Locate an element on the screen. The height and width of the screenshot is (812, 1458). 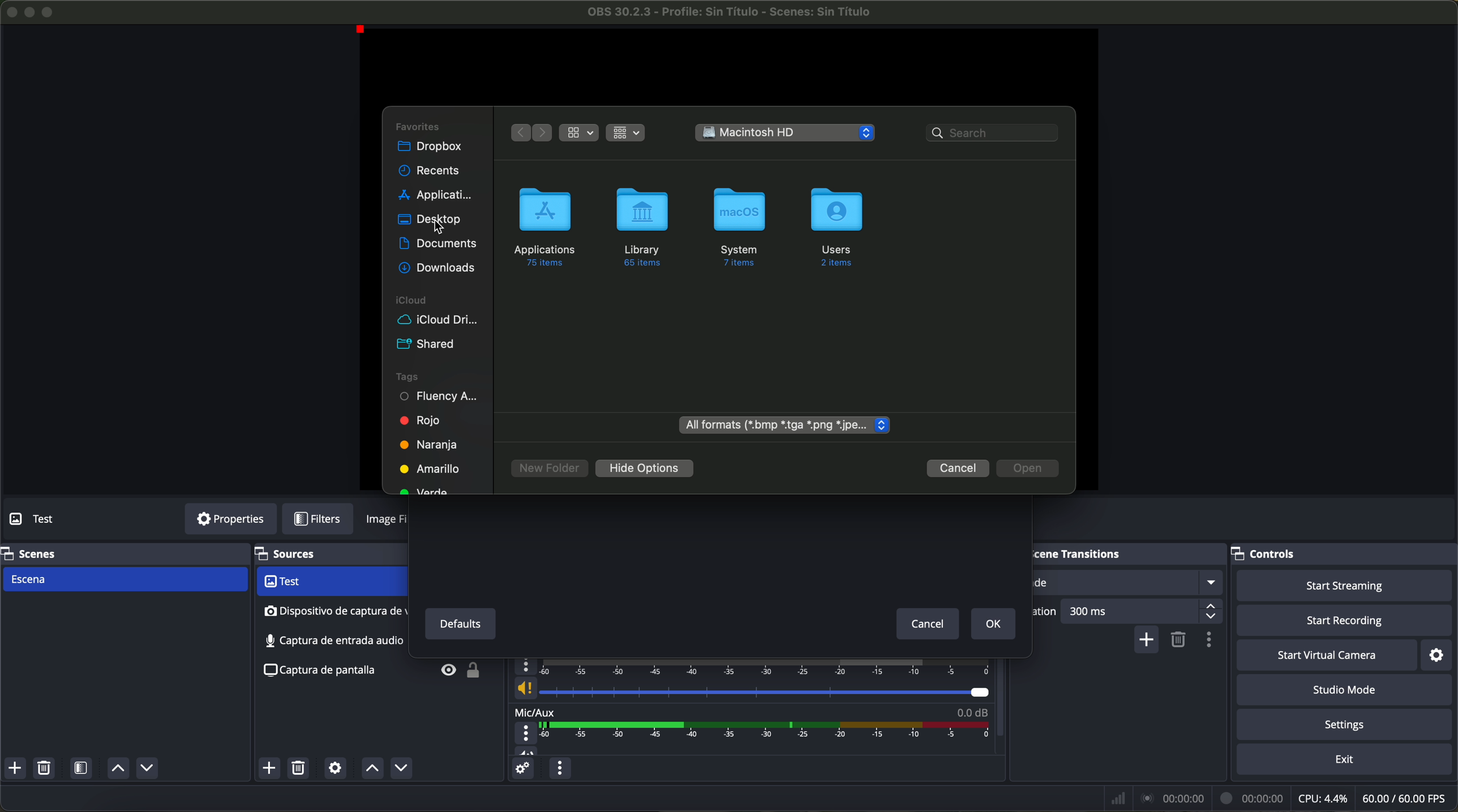
scene transitions is located at coordinates (1094, 553).